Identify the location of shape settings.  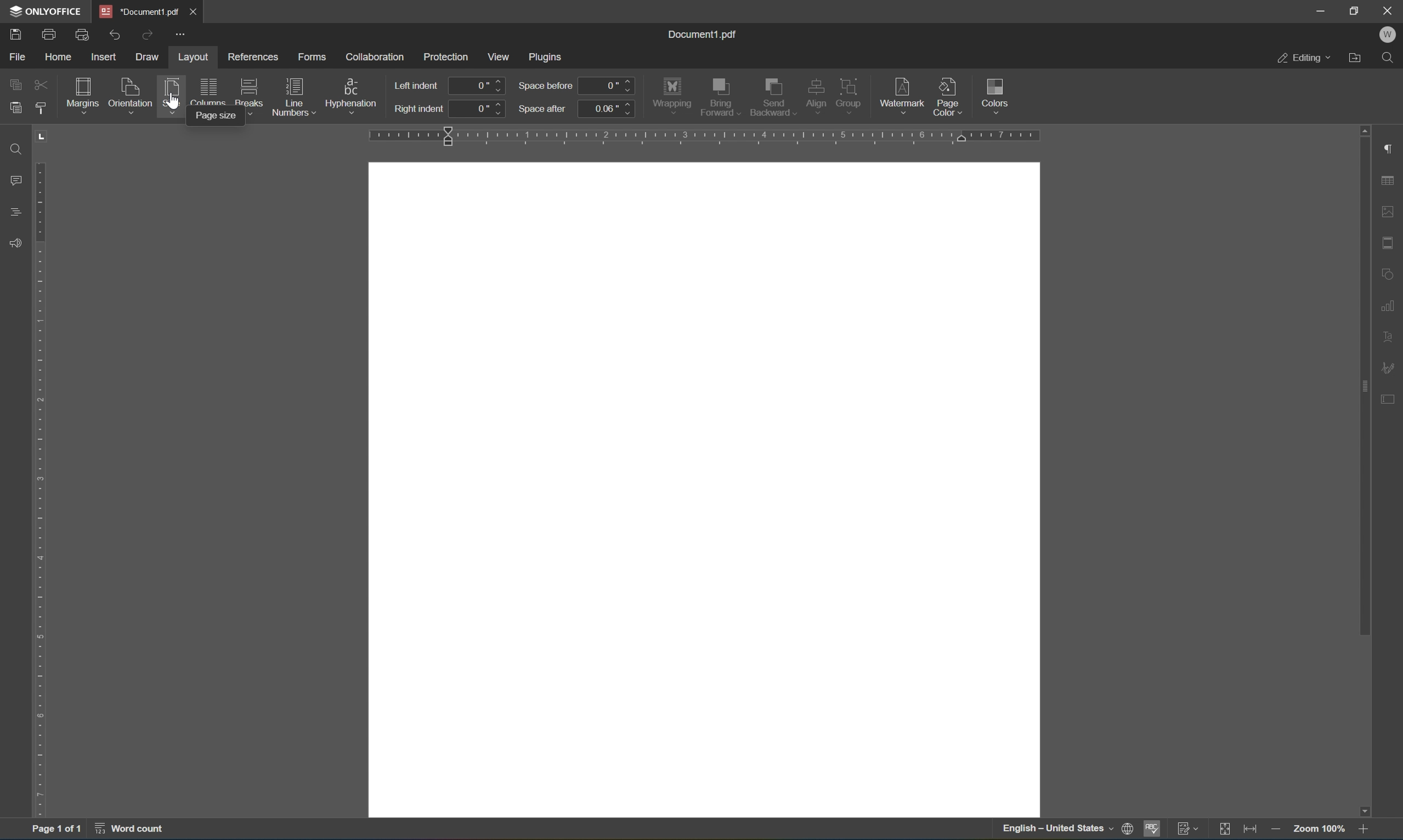
(1391, 274).